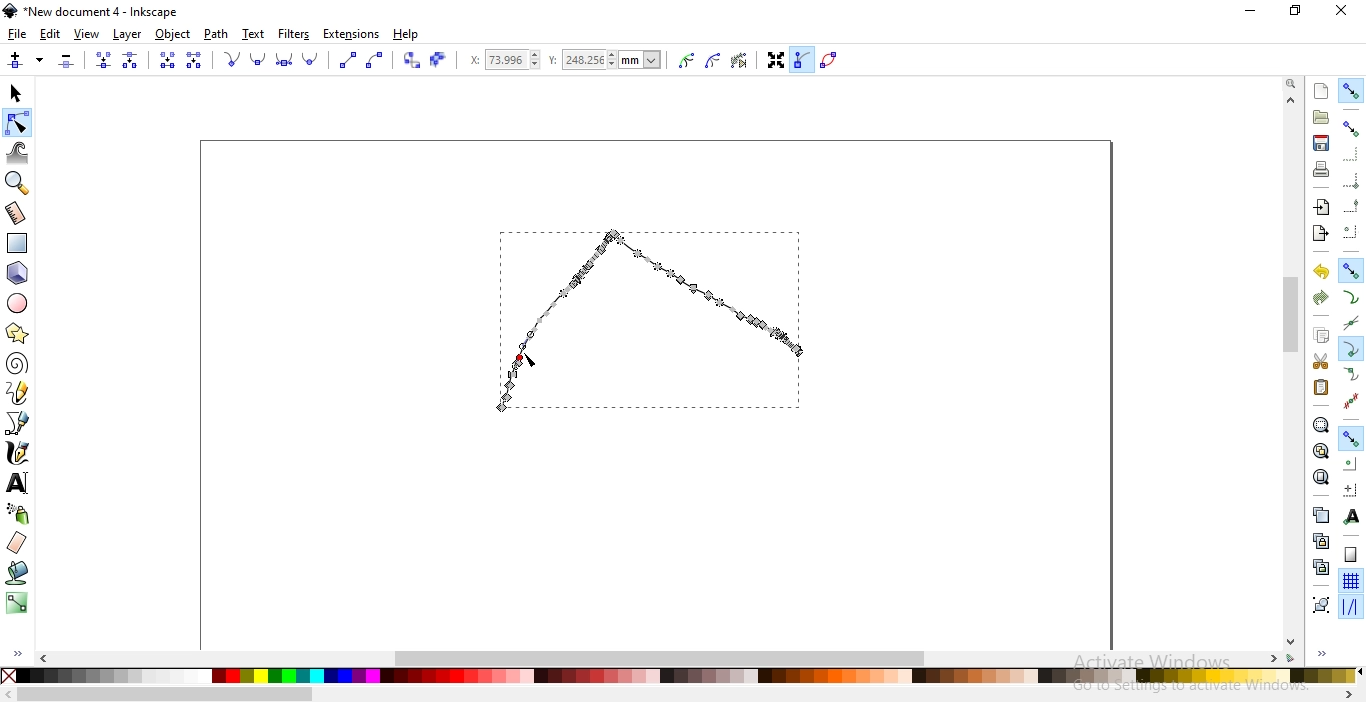 The width and height of the screenshot is (1366, 702). I want to click on cut, so click(1320, 362).